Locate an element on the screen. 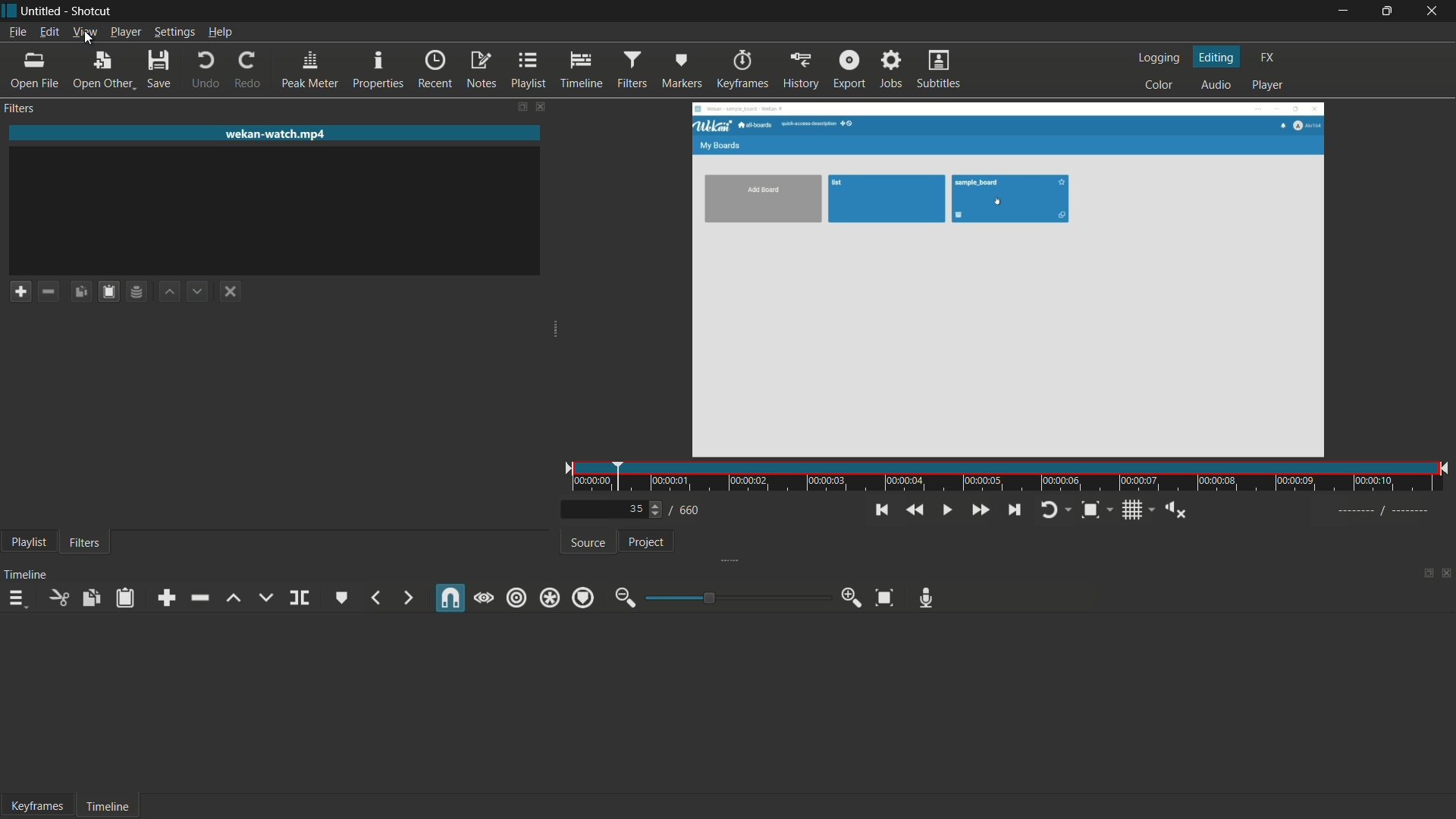  ripple is located at coordinates (517, 598).